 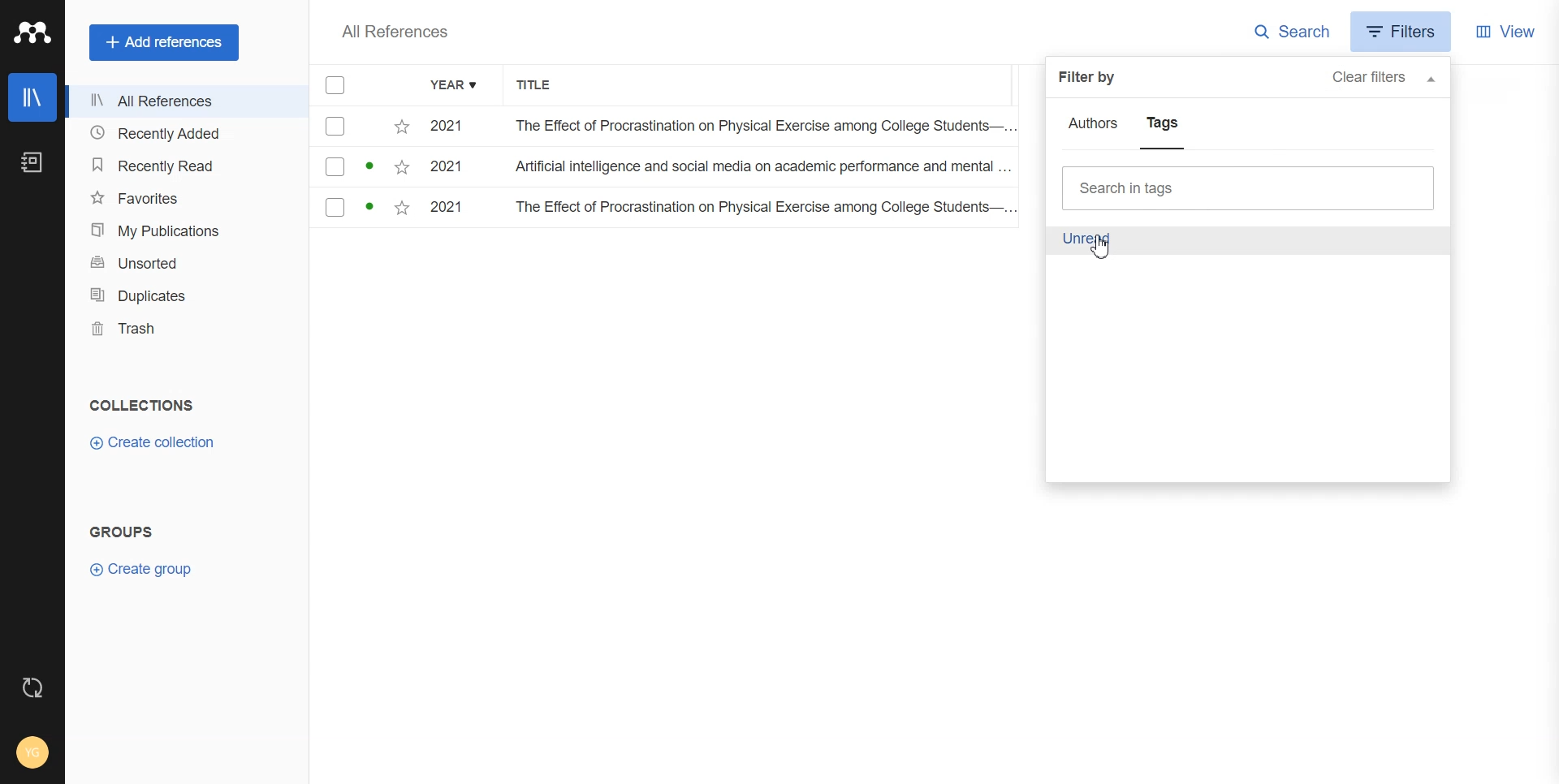 I want to click on The Effect of Procrastination on Physical Exercise among College Students..., so click(x=762, y=209).